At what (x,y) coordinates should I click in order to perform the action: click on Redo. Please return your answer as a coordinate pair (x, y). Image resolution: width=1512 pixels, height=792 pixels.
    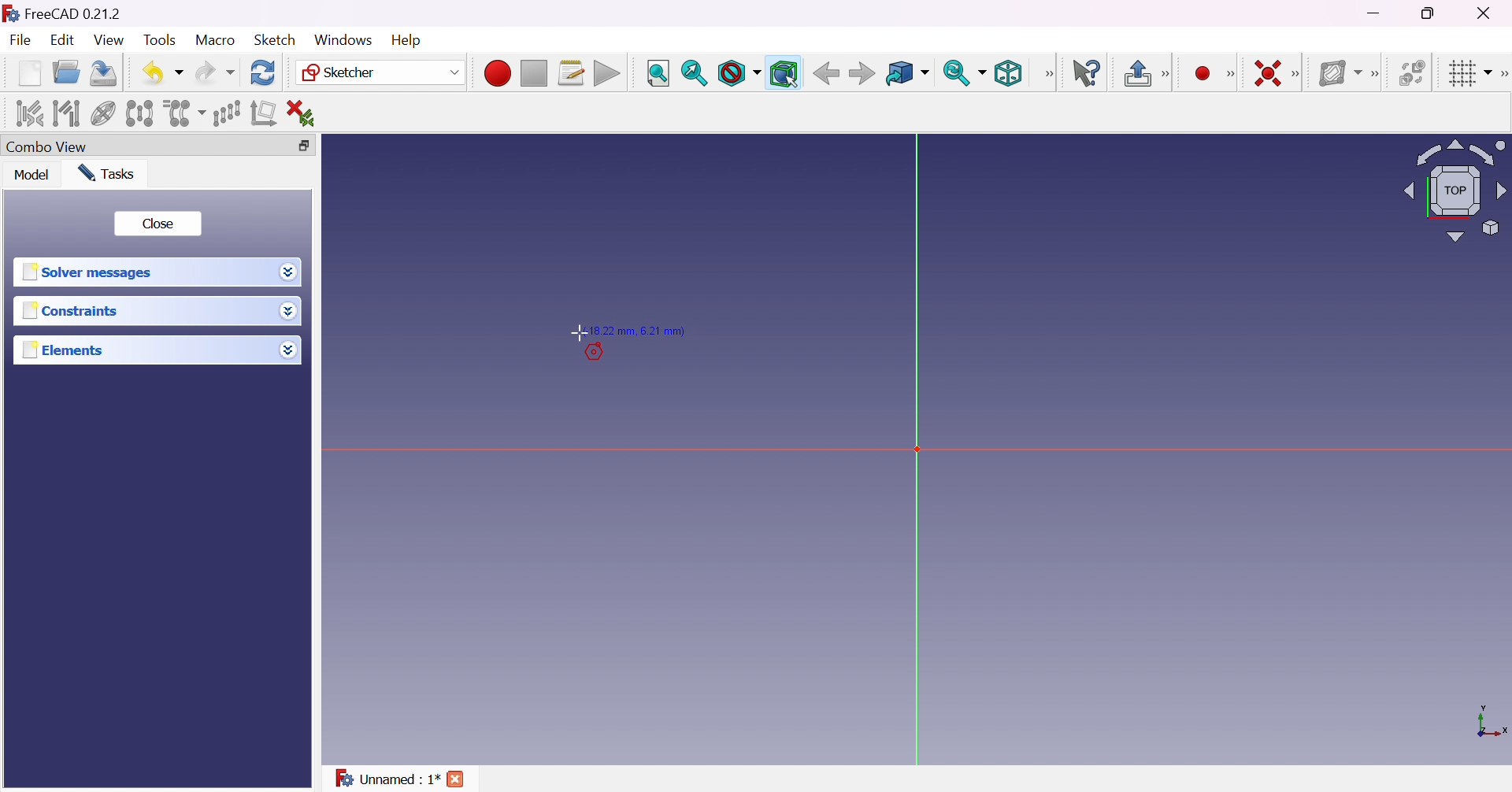
    Looking at the image, I should click on (215, 72).